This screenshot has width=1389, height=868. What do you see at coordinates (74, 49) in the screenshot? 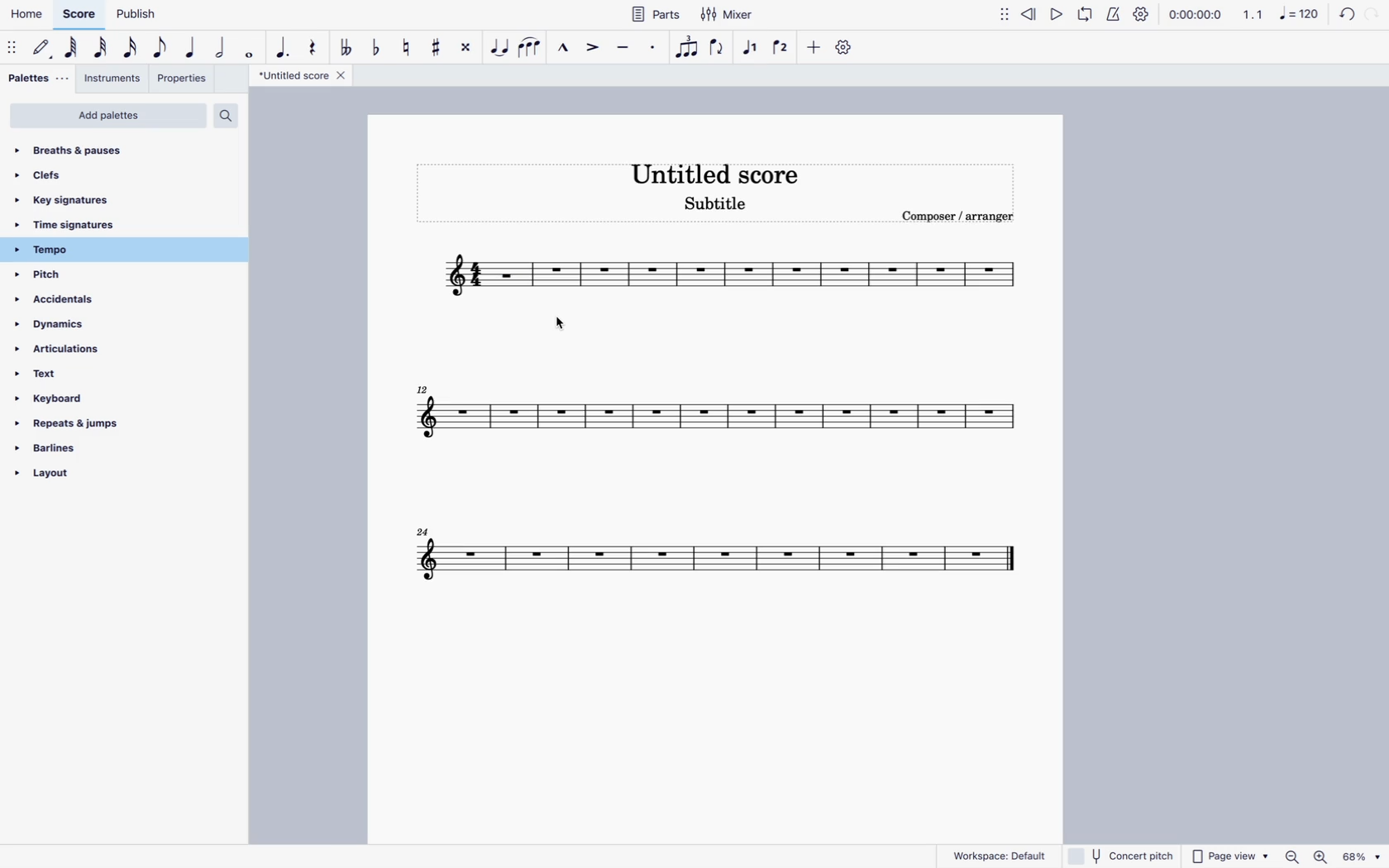
I see `64th note` at bounding box center [74, 49].